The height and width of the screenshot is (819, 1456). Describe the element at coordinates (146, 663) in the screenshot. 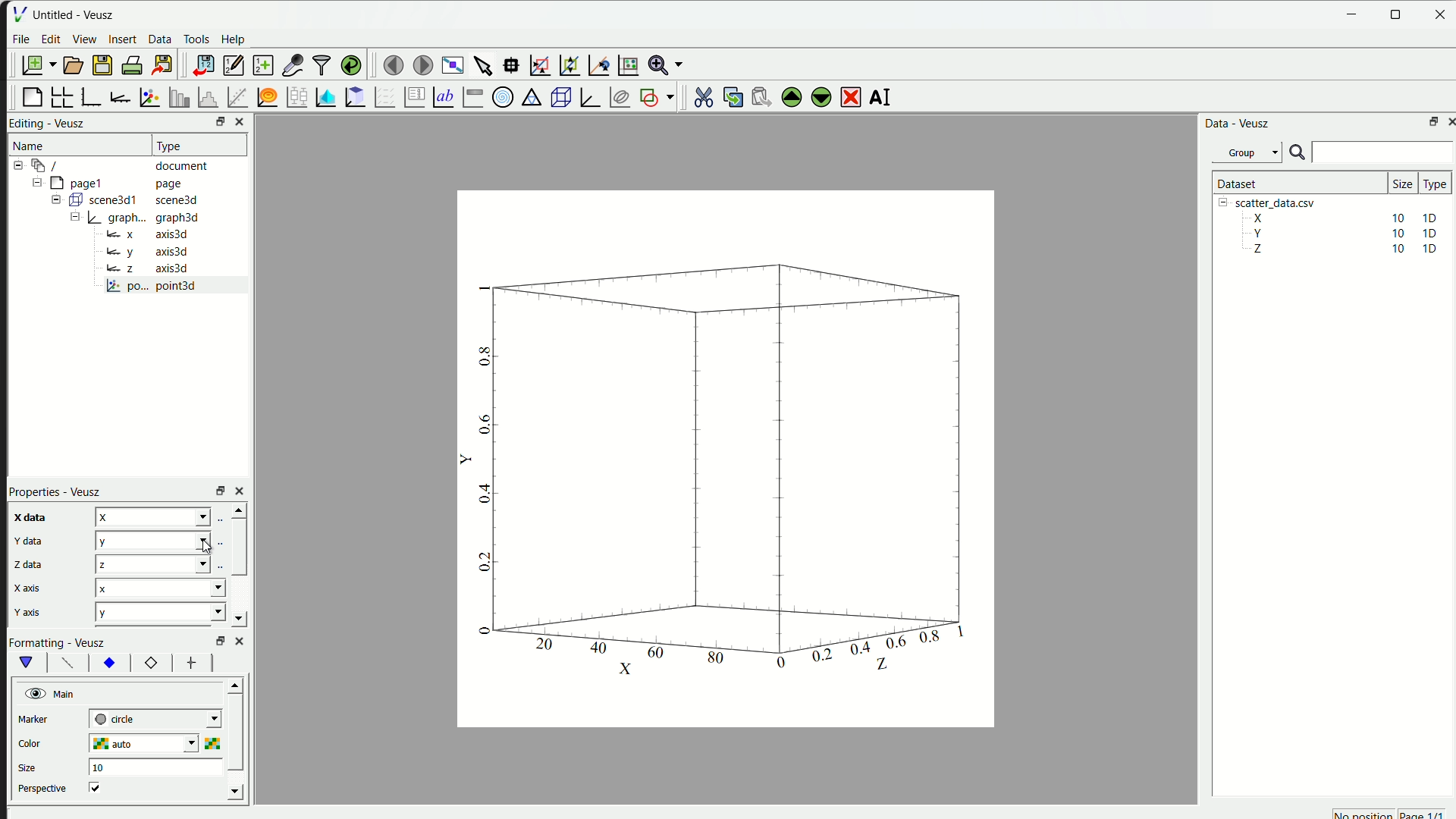

I see `12` at that location.